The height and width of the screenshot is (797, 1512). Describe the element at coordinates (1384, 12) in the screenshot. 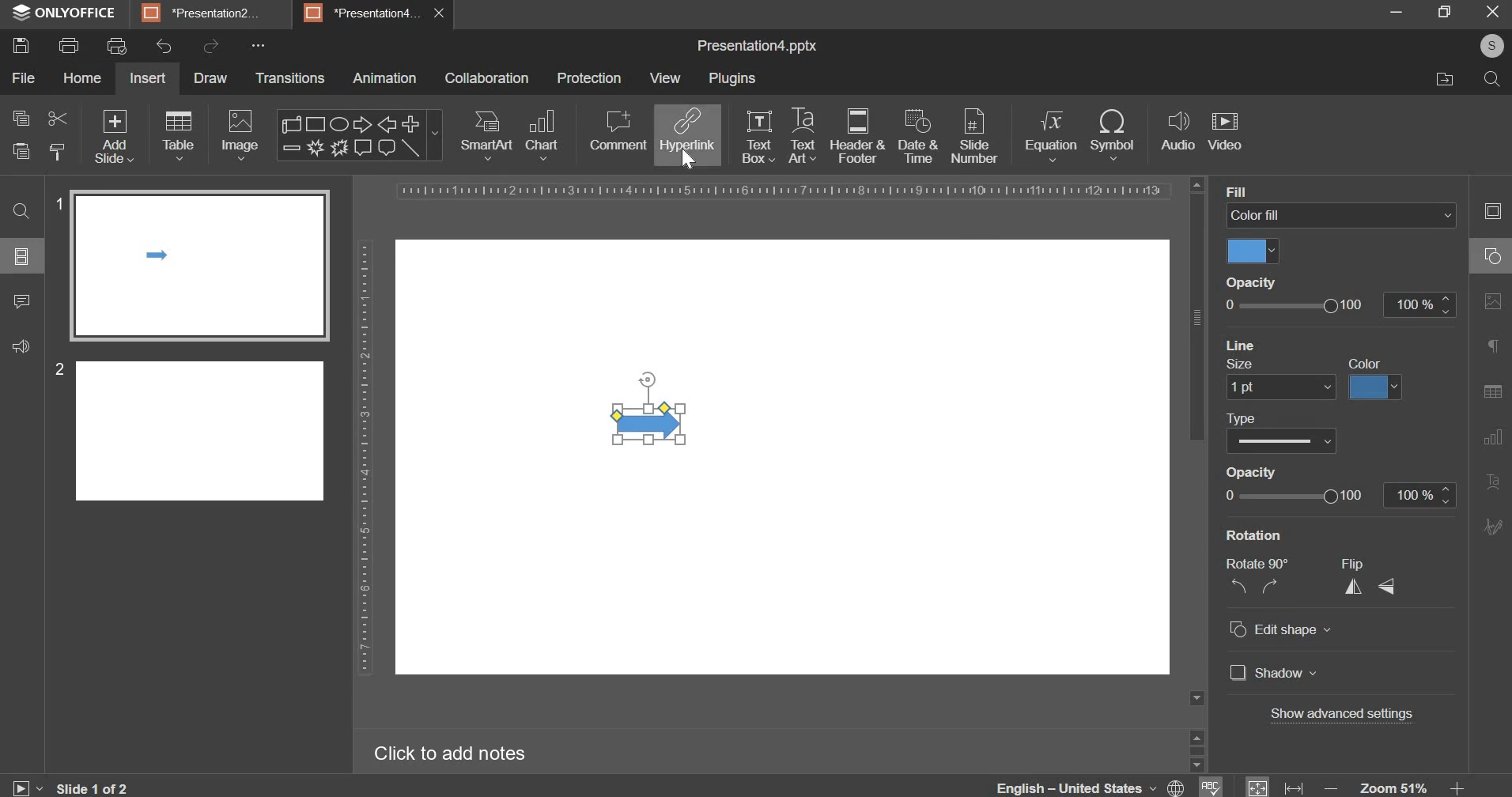

I see `minimise` at that location.